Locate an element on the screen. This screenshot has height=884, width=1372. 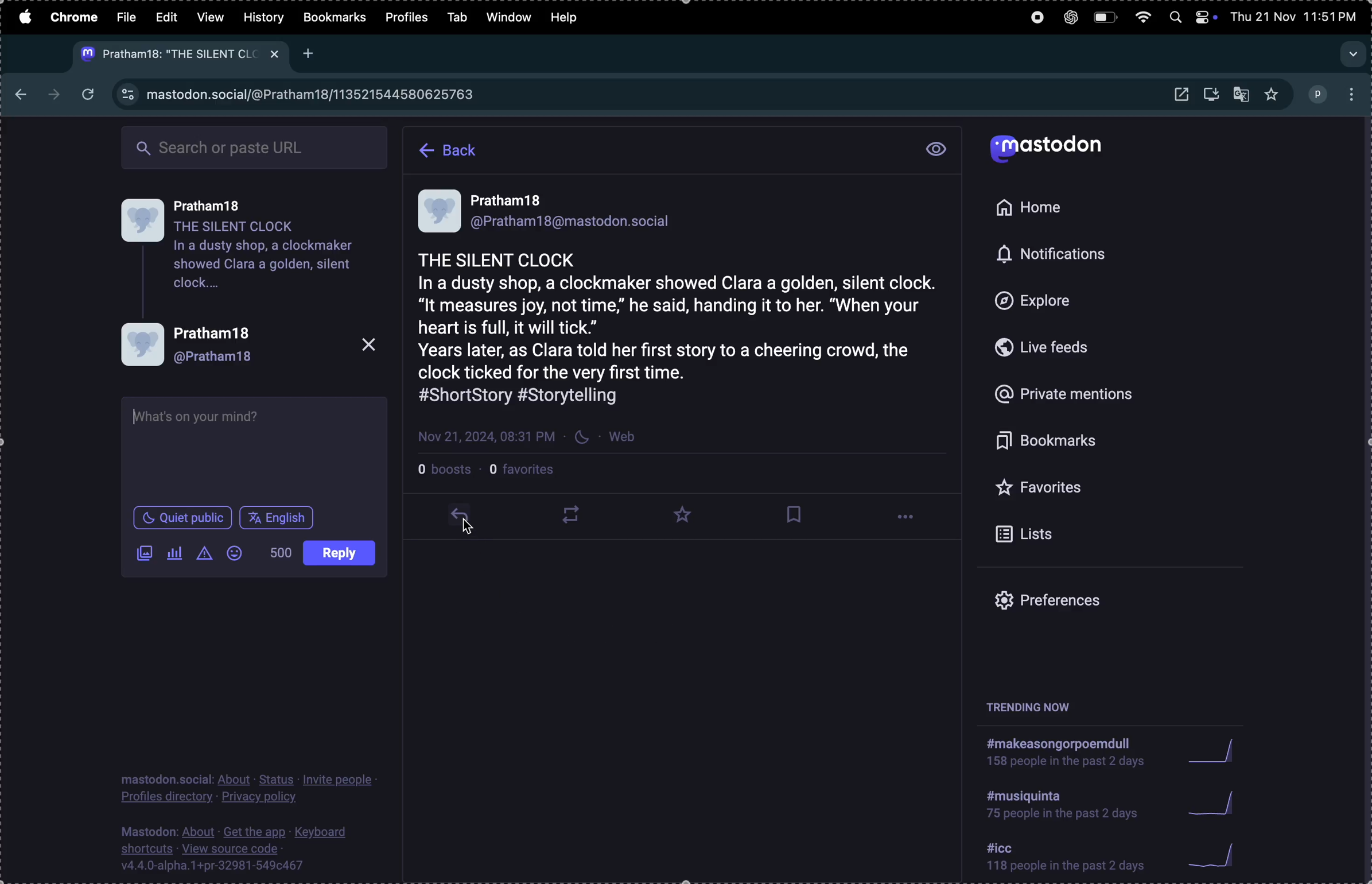
chrome is located at coordinates (75, 18).